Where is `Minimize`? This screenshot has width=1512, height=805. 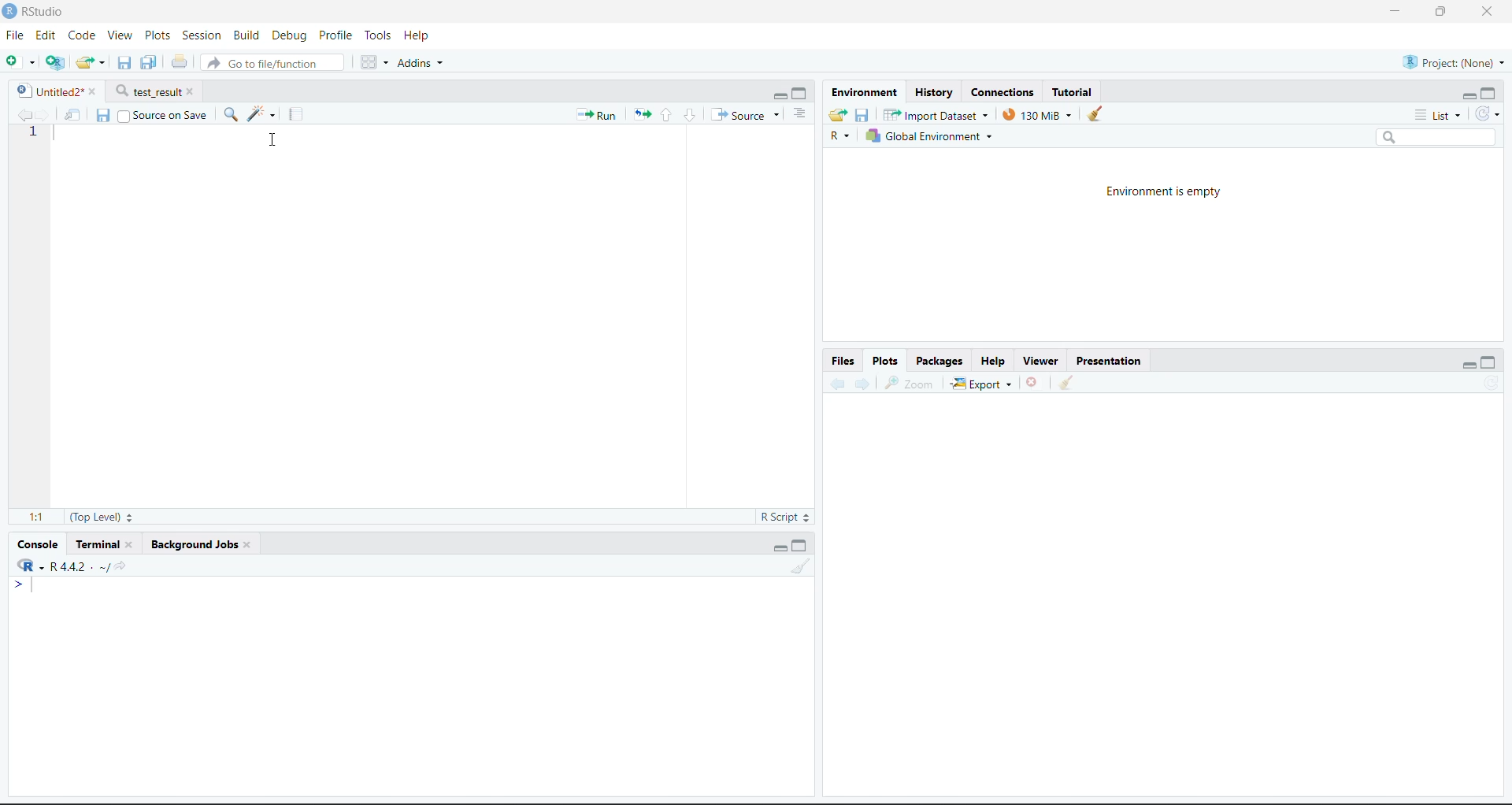
Minimize is located at coordinates (1390, 12).